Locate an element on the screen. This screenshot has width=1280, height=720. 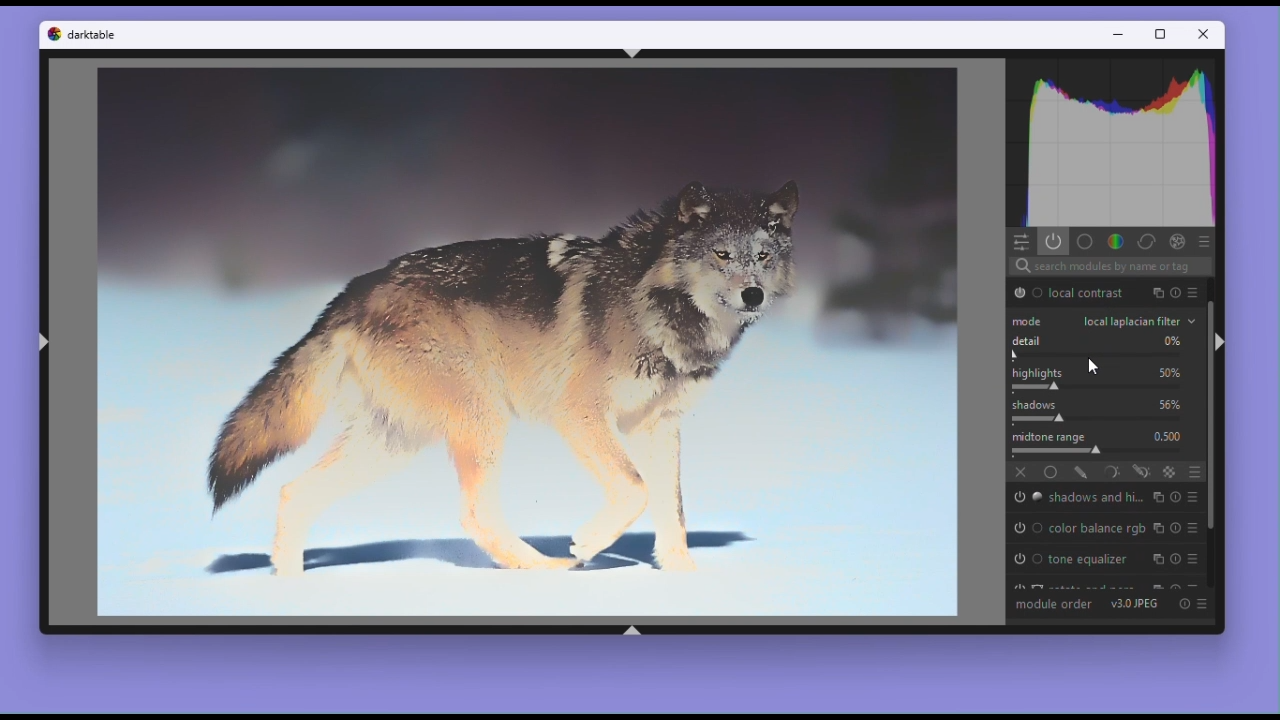
Midtone range is located at coordinates (1107, 443).